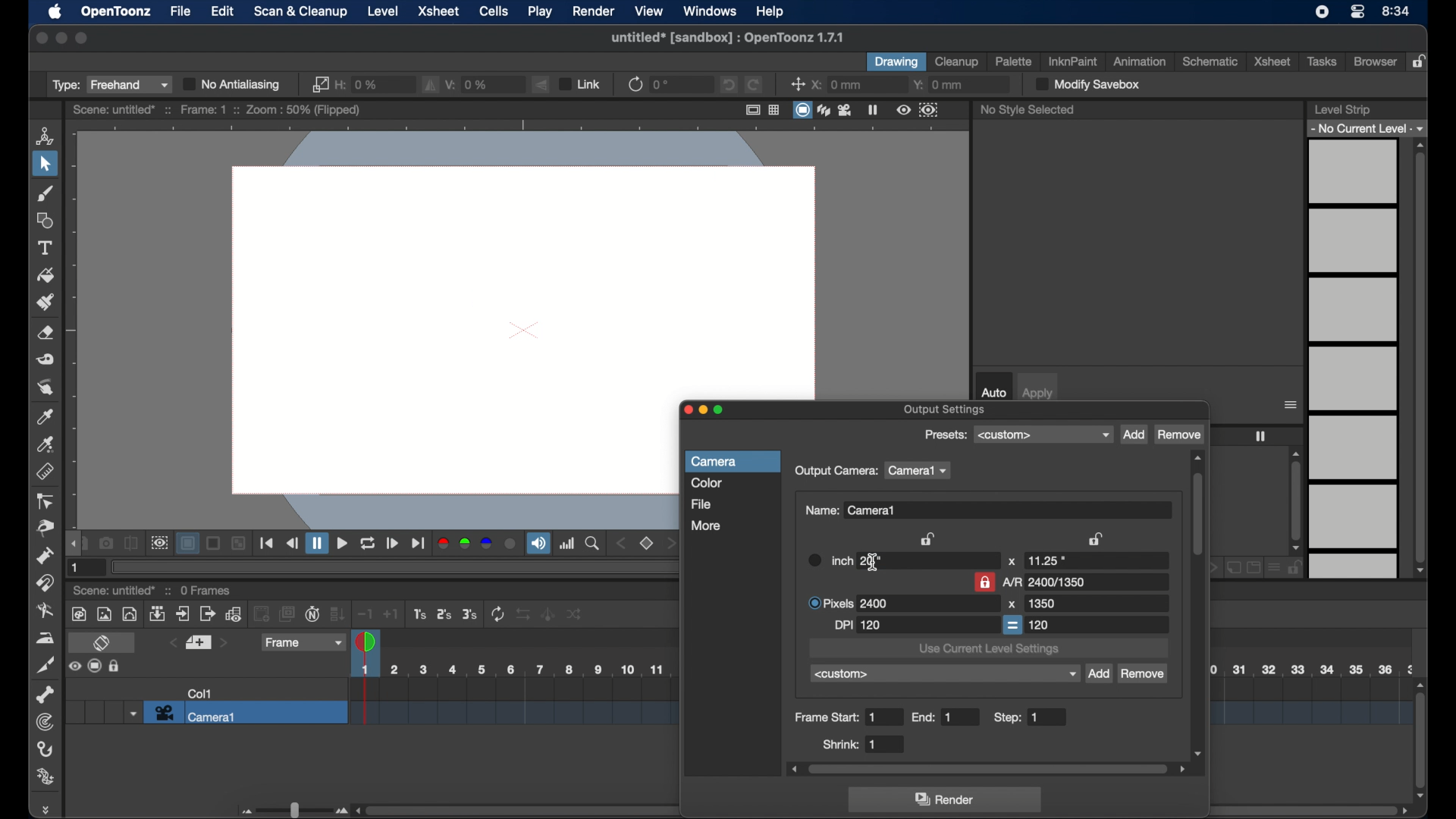 The image size is (1456, 819). What do you see at coordinates (706, 525) in the screenshot?
I see `more` at bounding box center [706, 525].